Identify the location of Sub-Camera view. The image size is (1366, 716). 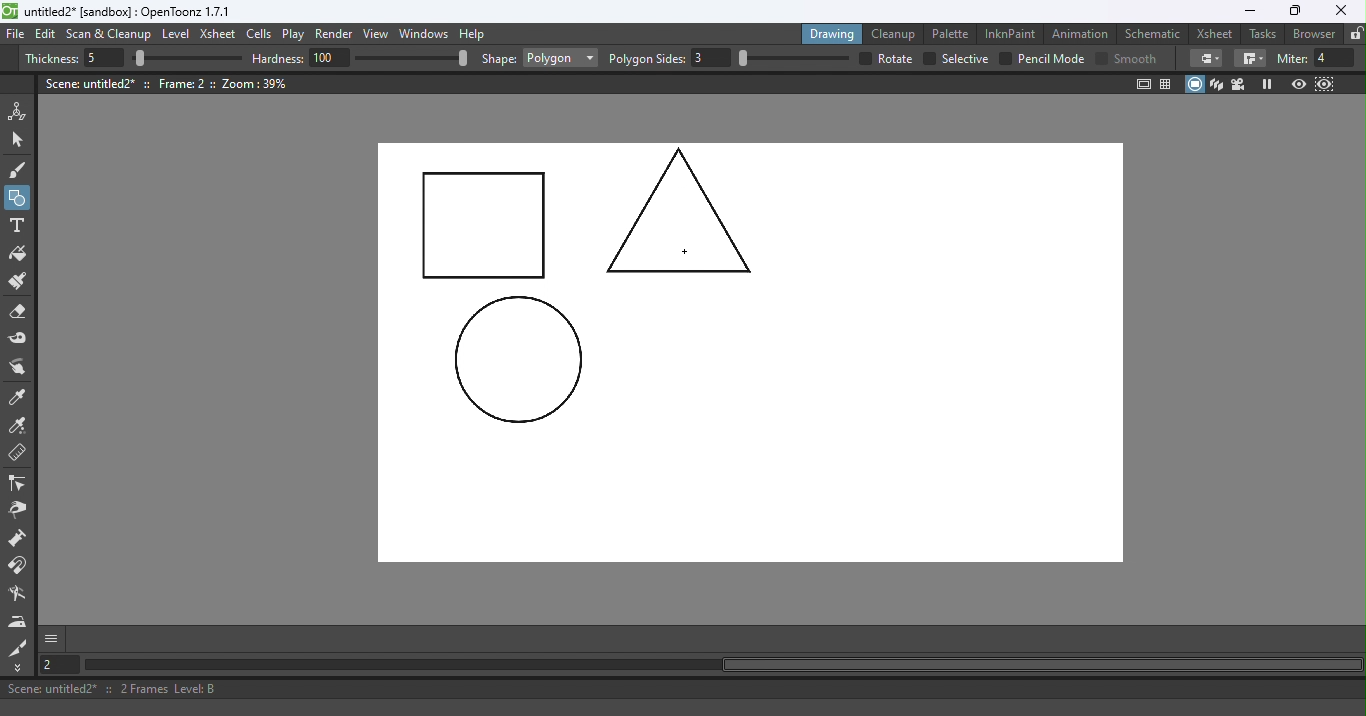
(1326, 84).